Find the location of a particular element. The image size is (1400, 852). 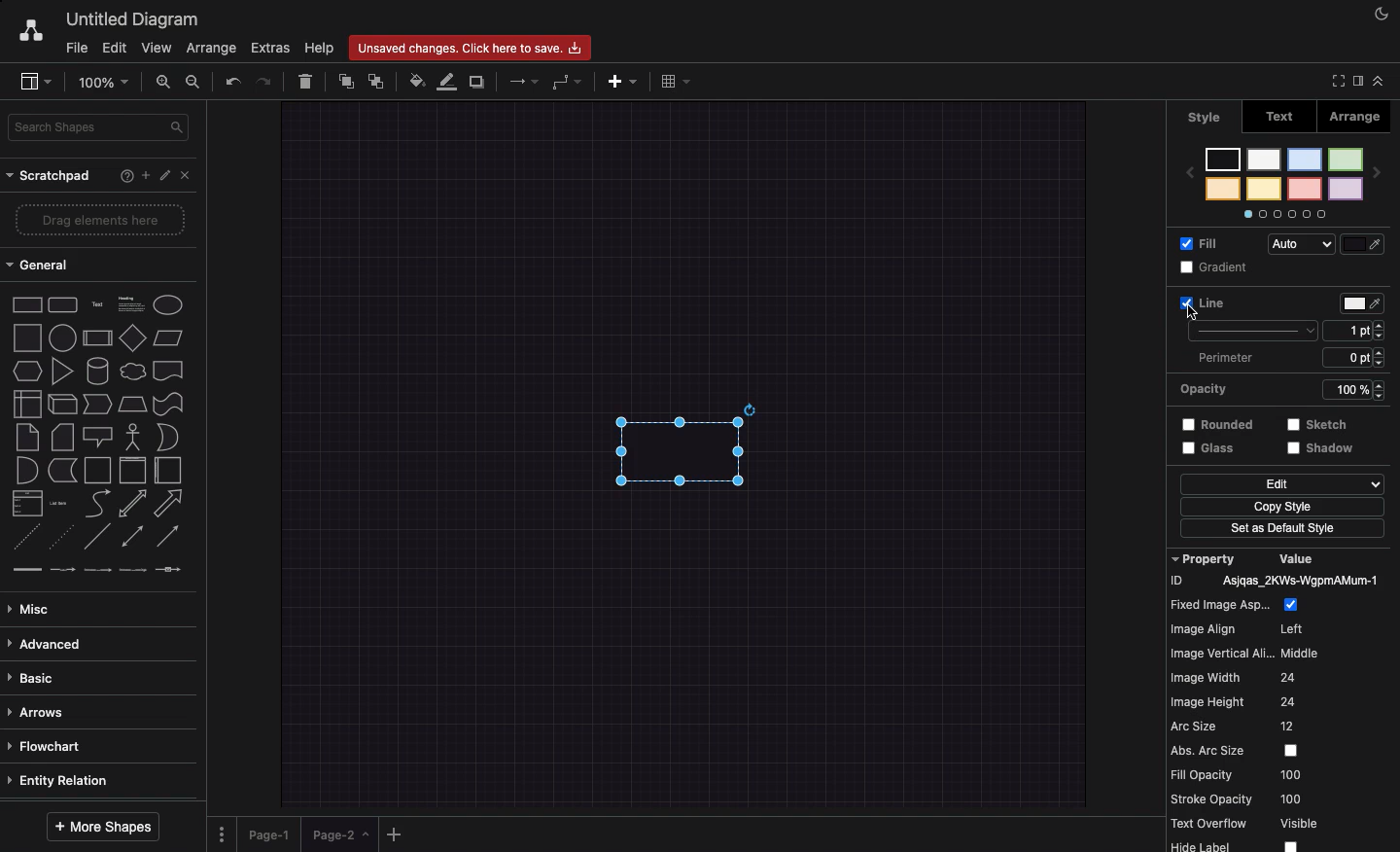

and is located at coordinates (26, 471).